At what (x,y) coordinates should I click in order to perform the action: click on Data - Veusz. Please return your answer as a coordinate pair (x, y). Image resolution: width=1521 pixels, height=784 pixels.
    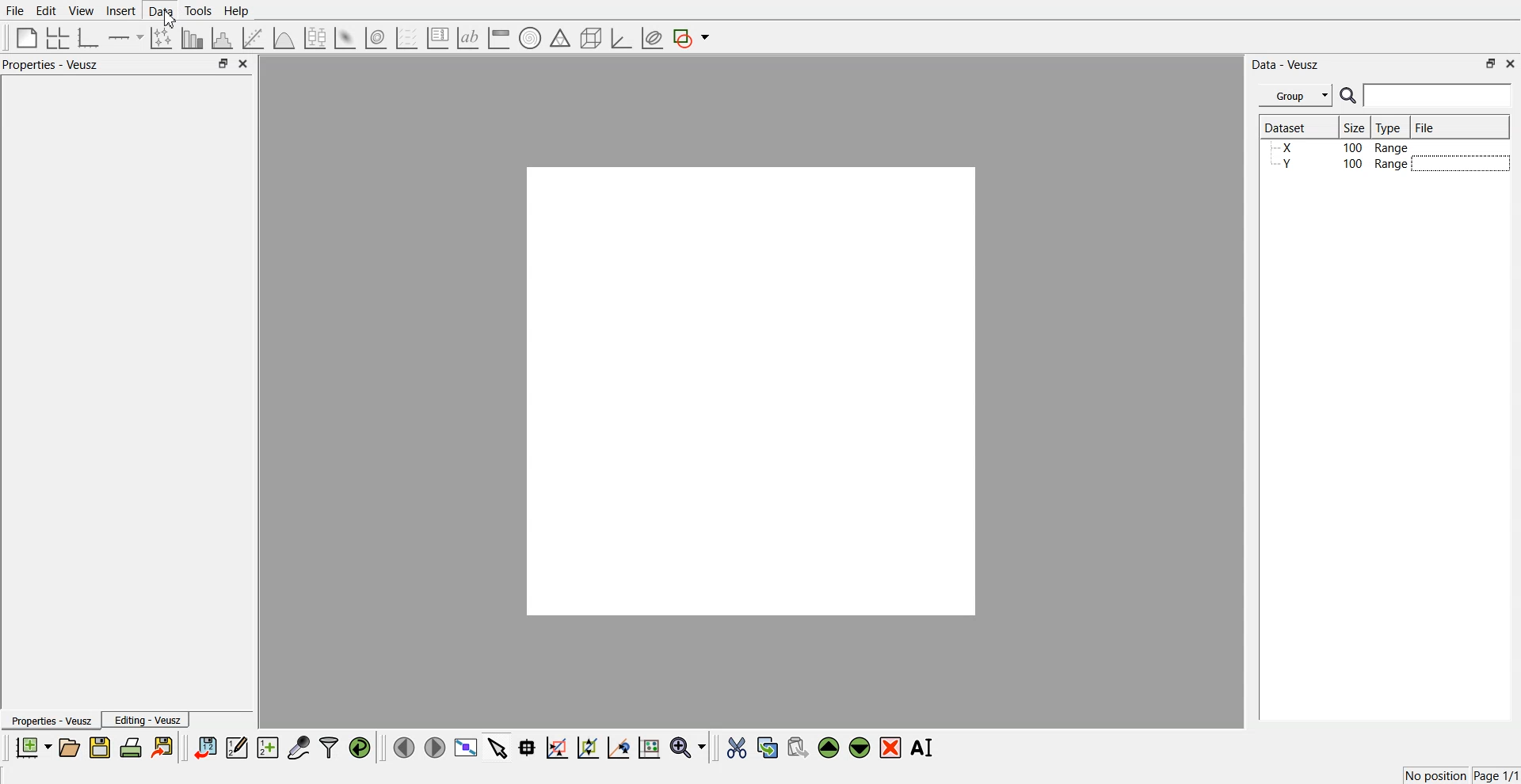
    Looking at the image, I should click on (1285, 65).